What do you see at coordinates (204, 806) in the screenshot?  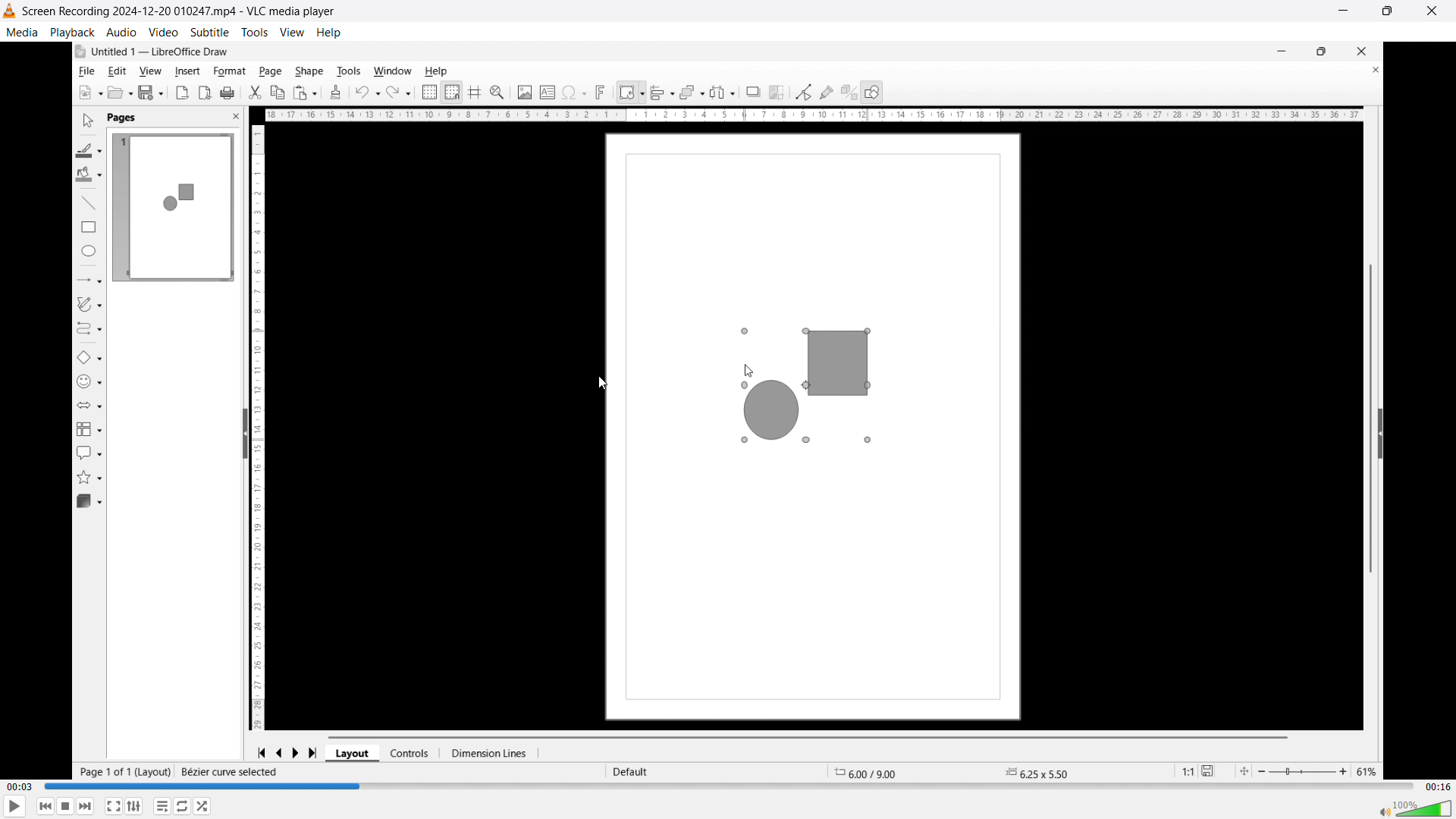 I see `random` at bounding box center [204, 806].